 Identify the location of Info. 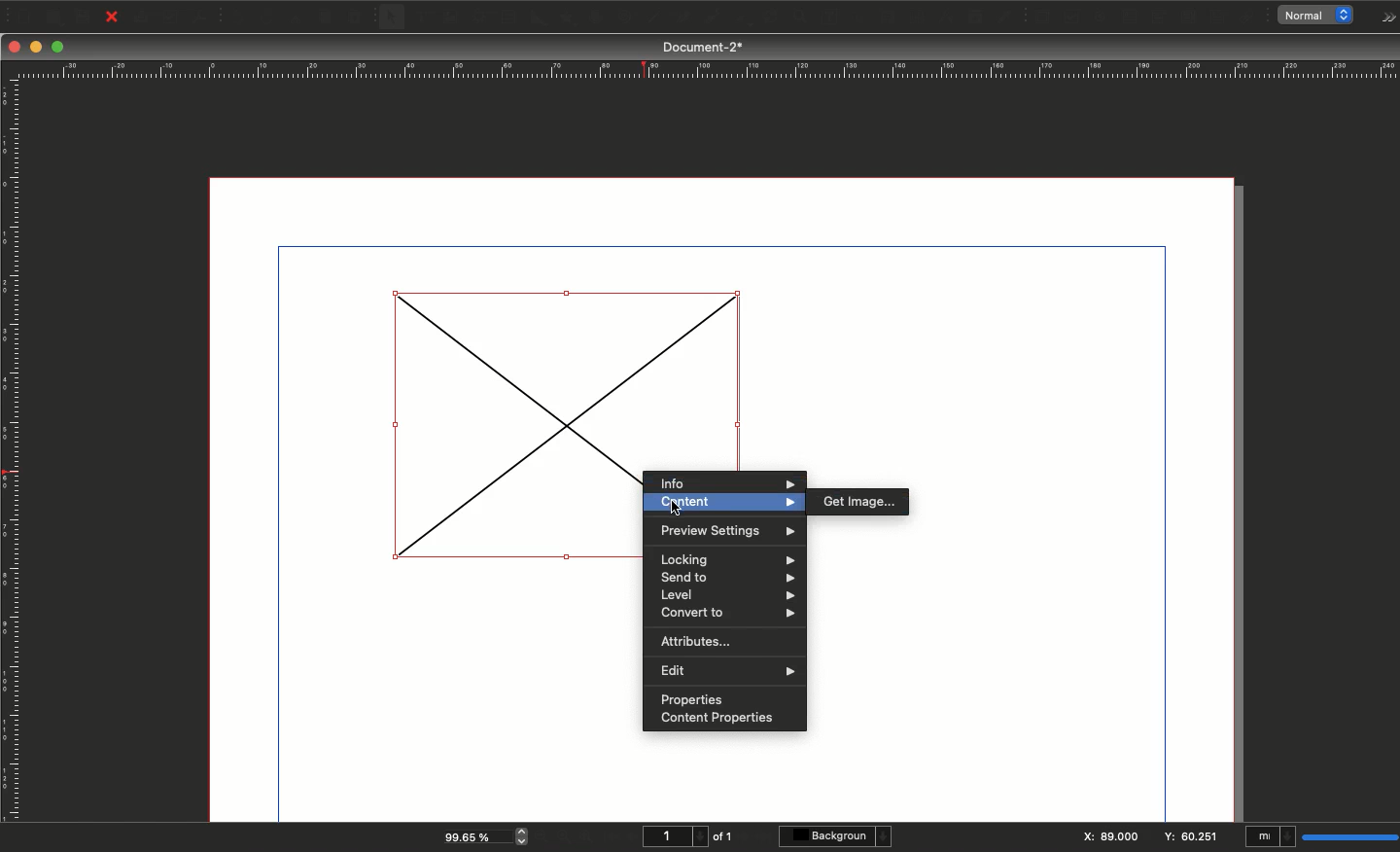
(723, 481).